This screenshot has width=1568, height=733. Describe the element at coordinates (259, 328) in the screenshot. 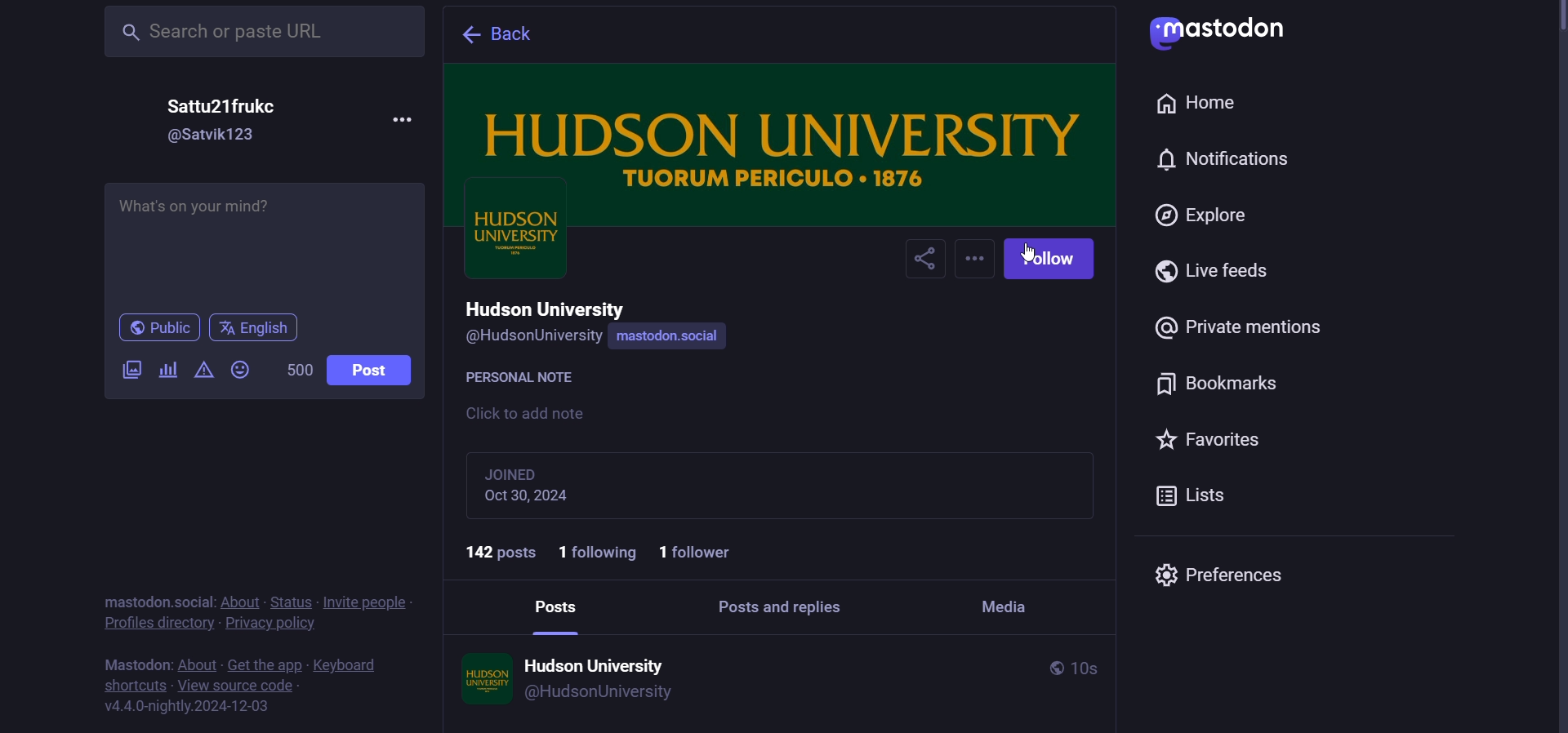

I see `language` at that location.